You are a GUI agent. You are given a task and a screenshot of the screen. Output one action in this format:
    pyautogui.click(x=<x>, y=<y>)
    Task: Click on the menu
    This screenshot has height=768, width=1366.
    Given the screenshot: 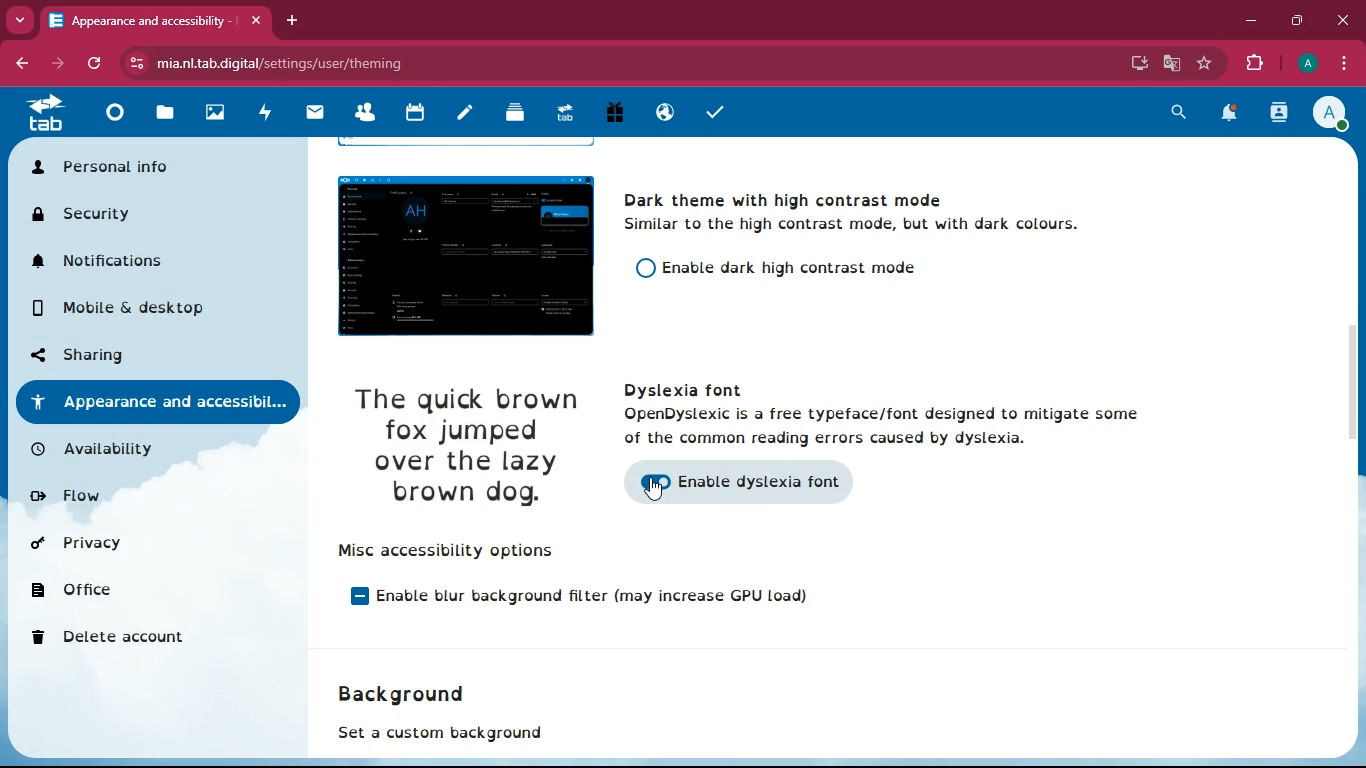 What is the action you would take?
    pyautogui.click(x=1338, y=63)
    